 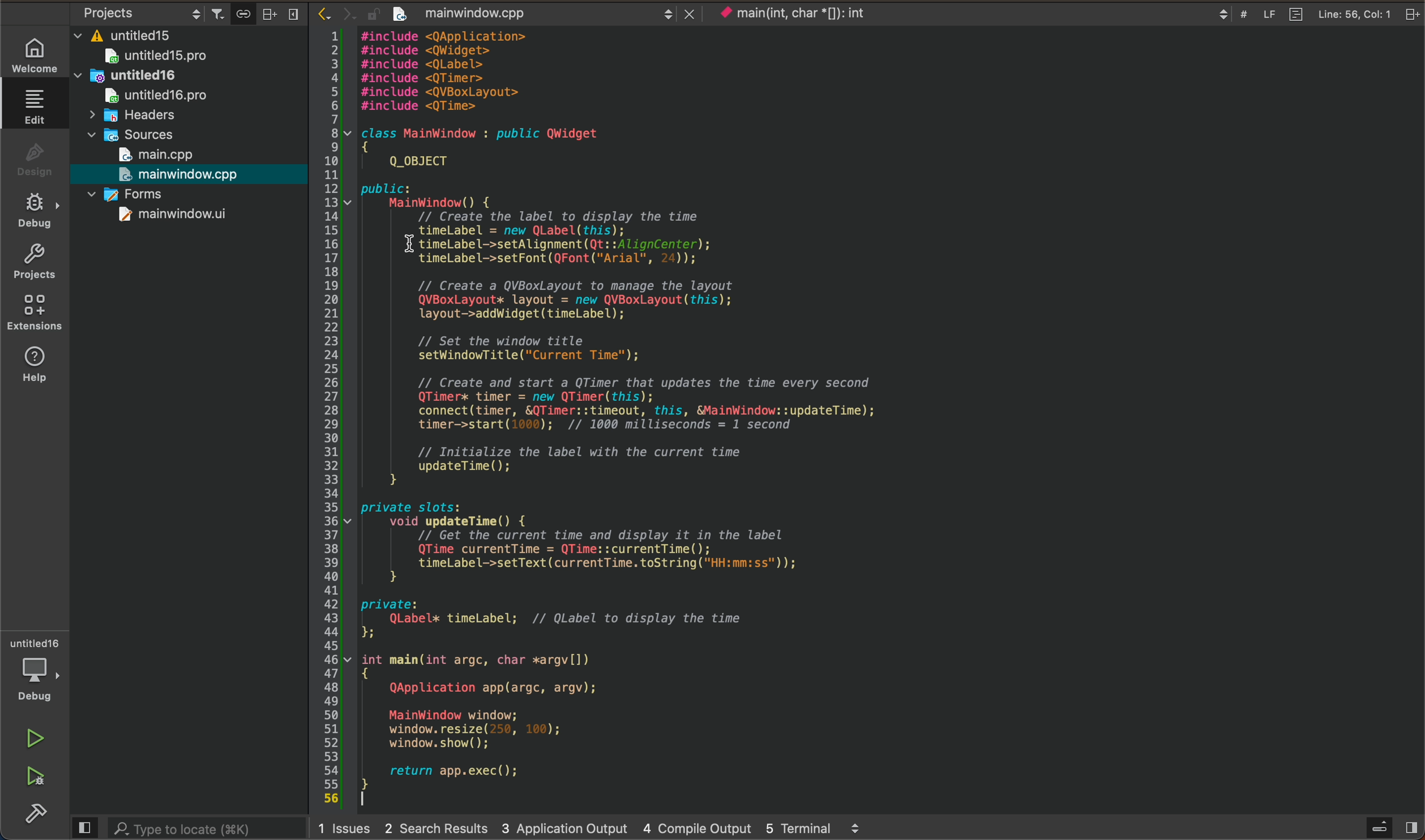 What do you see at coordinates (974, 13) in the screenshot?
I see `main(int, char *[]): int` at bounding box center [974, 13].